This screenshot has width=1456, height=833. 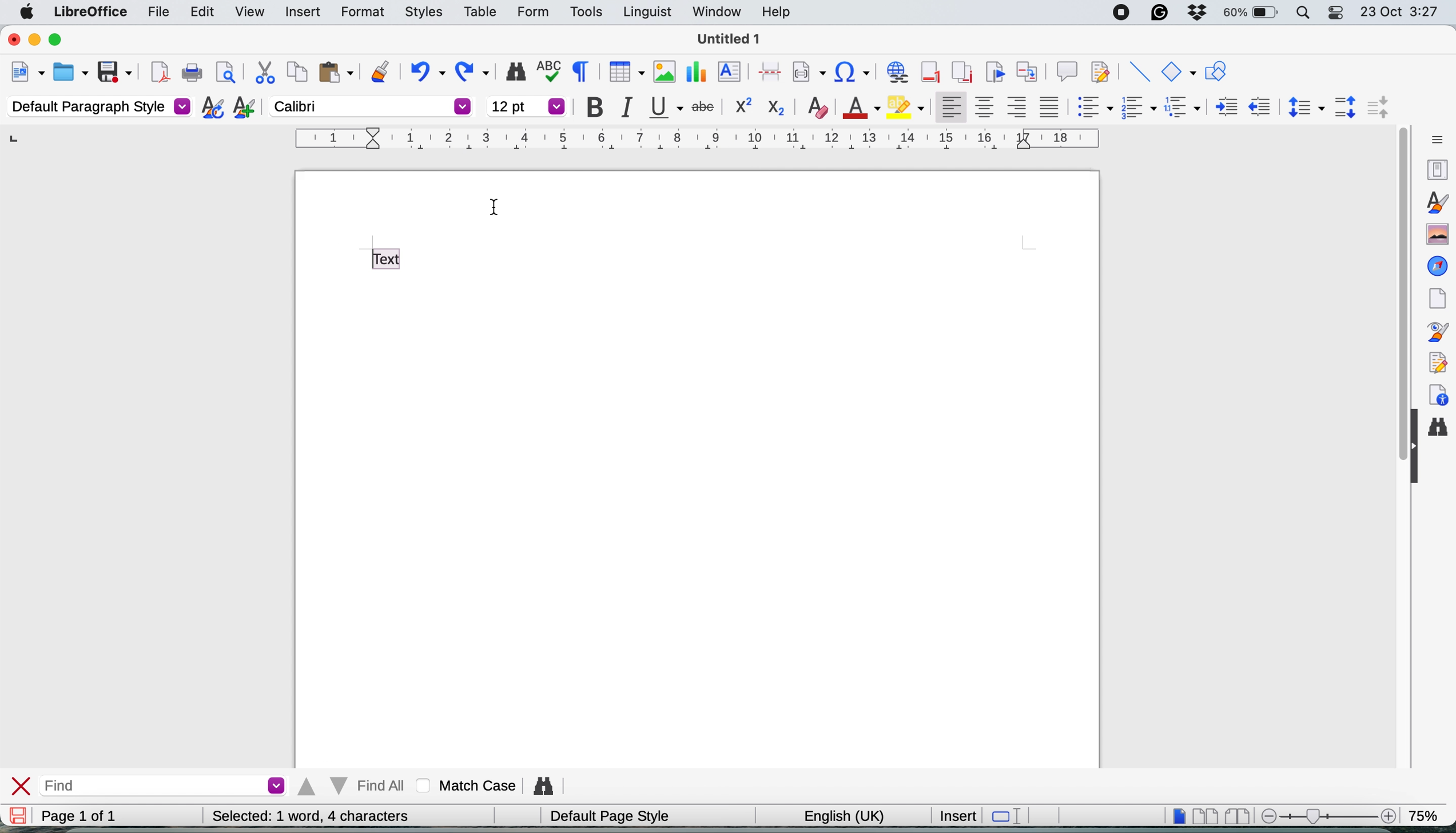 I want to click on insert table, so click(x=624, y=73).